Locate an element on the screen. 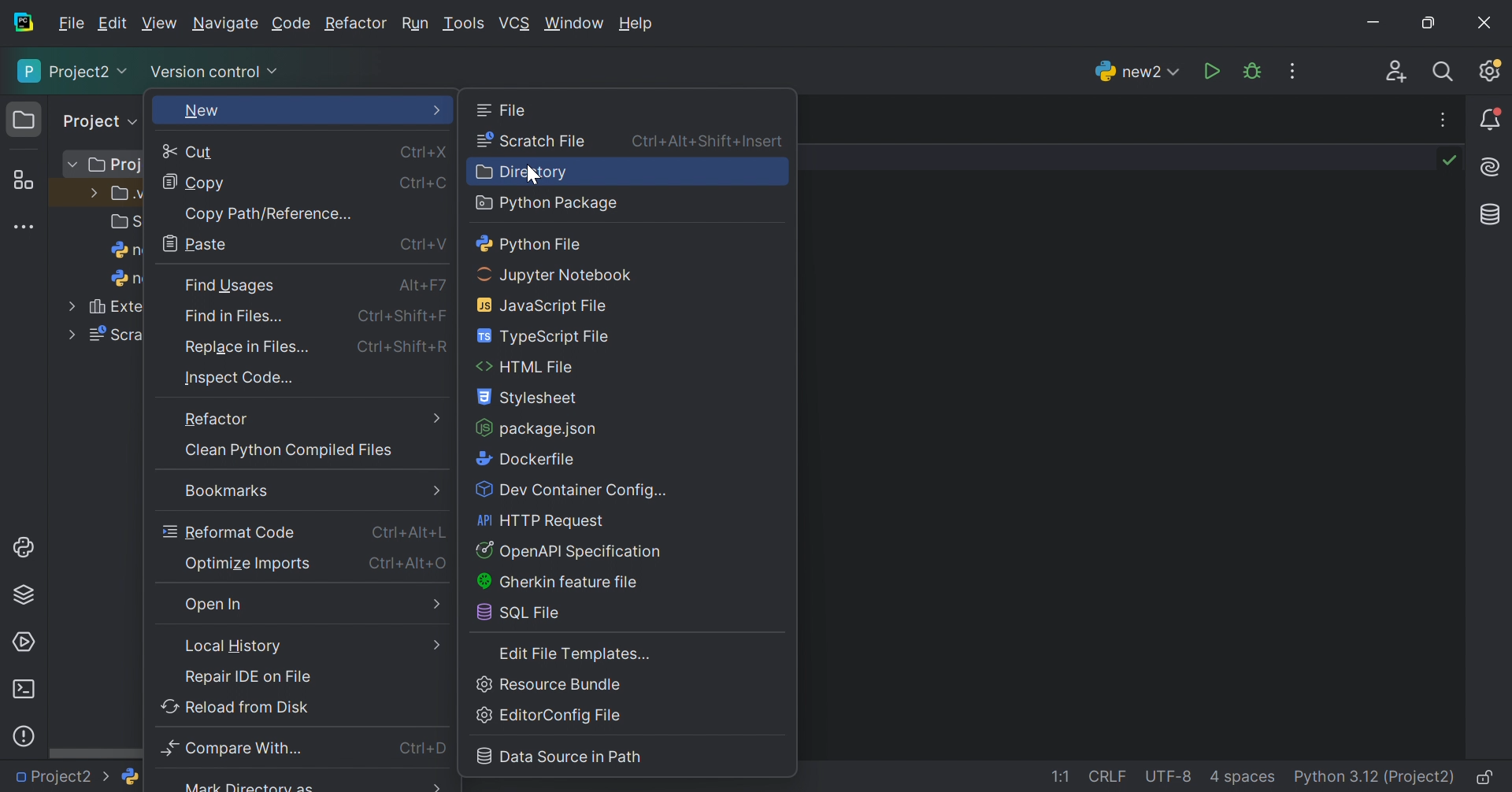 The width and height of the screenshot is (1512, 792). cursor is located at coordinates (532, 178).